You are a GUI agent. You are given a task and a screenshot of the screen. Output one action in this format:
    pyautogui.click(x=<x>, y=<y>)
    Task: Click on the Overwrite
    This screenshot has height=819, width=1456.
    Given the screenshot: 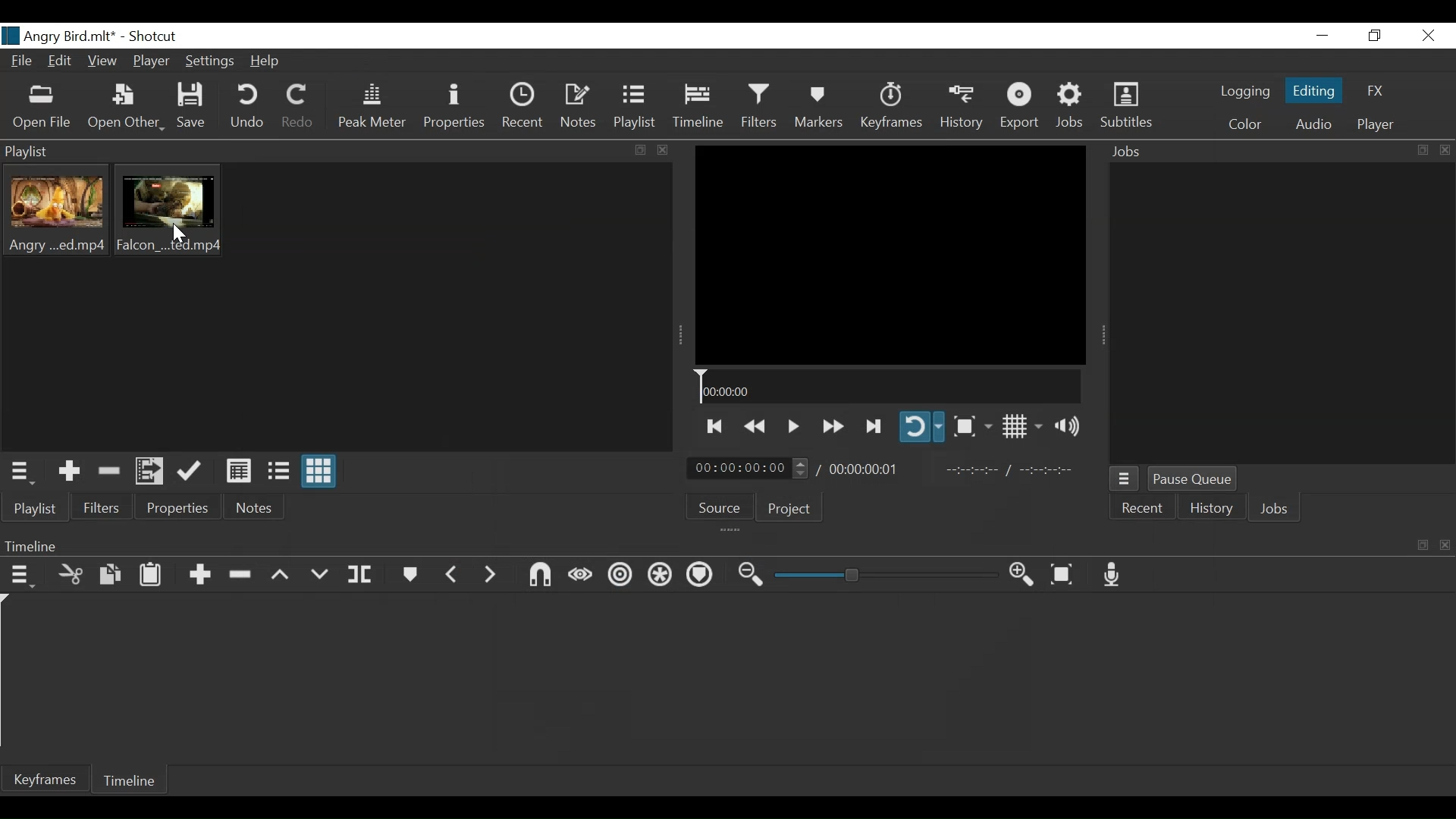 What is the action you would take?
    pyautogui.click(x=320, y=575)
    